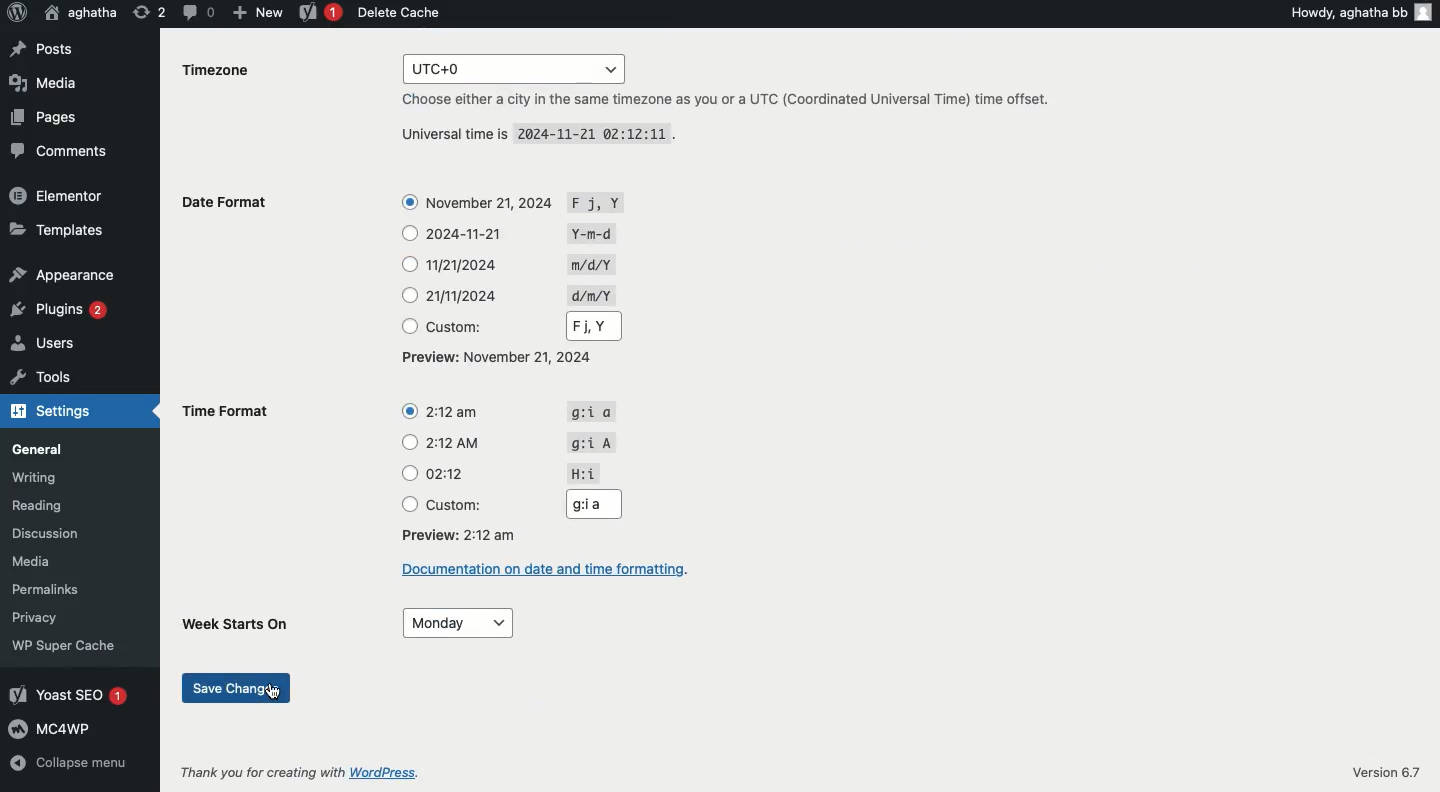 This screenshot has height=792, width=1440. What do you see at coordinates (47, 48) in the screenshot?
I see `Posts` at bounding box center [47, 48].